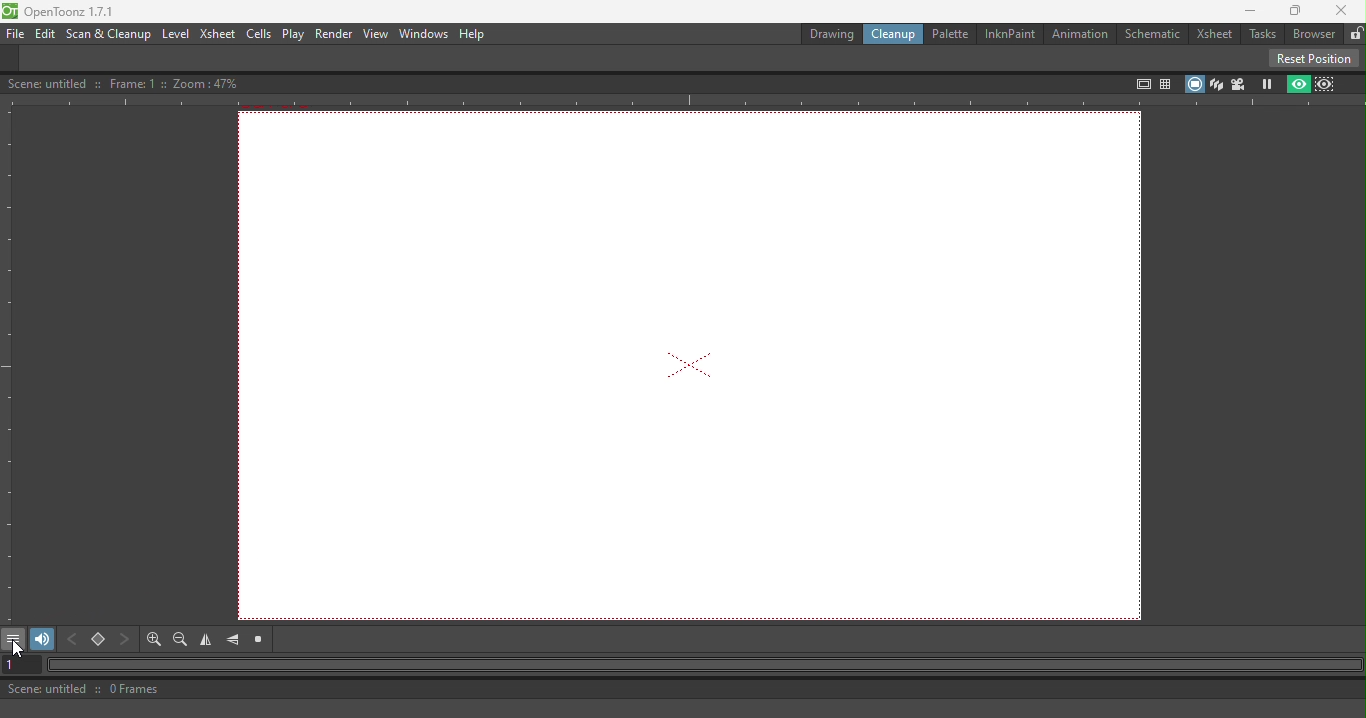 Image resolution: width=1366 pixels, height=718 pixels. What do you see at coordinates (13, 34) in the screenshot?
I see `File` at bounding box center [13, 34].